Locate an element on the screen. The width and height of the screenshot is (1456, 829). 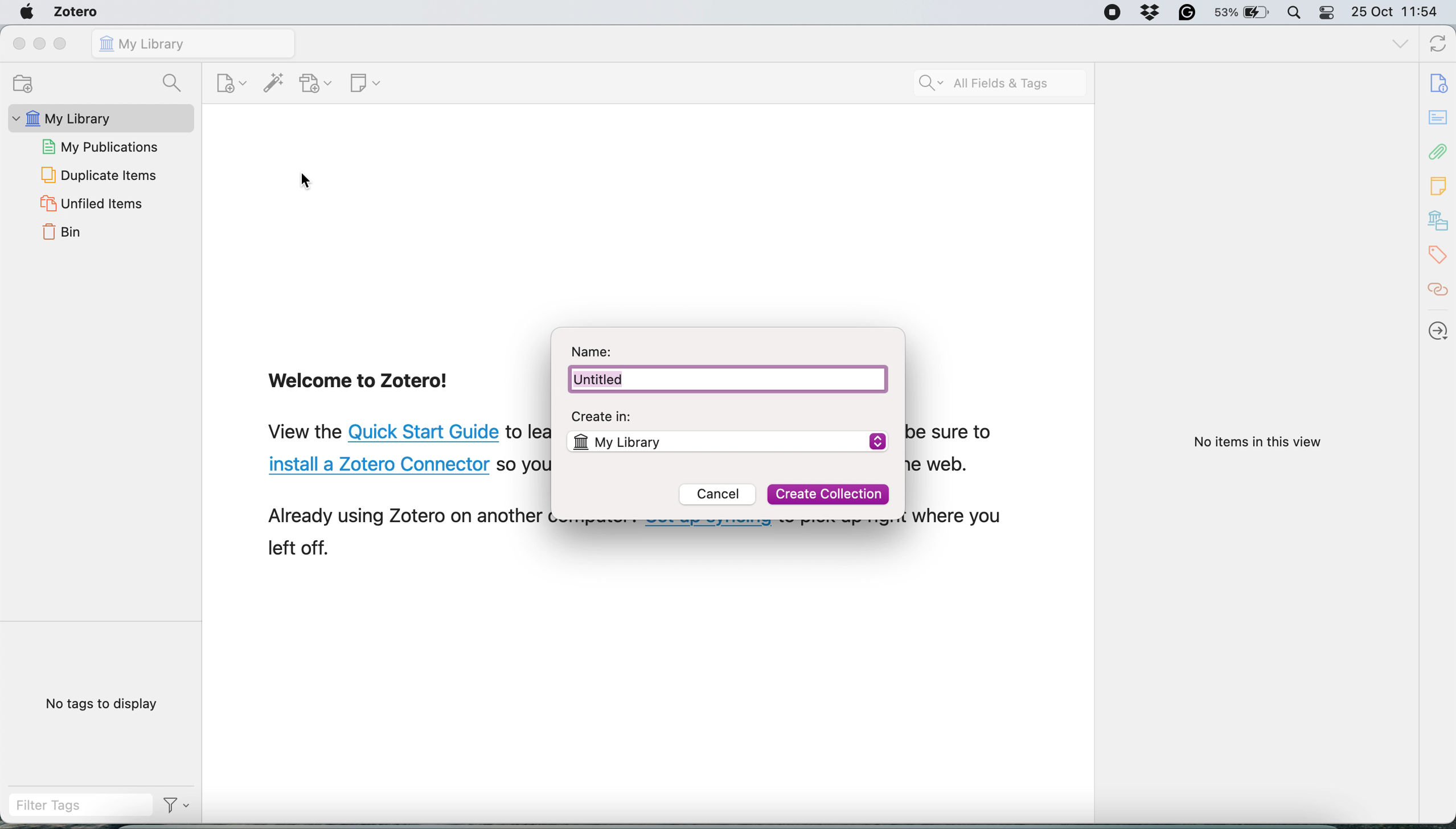
library is located at coordinates (1439, 222).